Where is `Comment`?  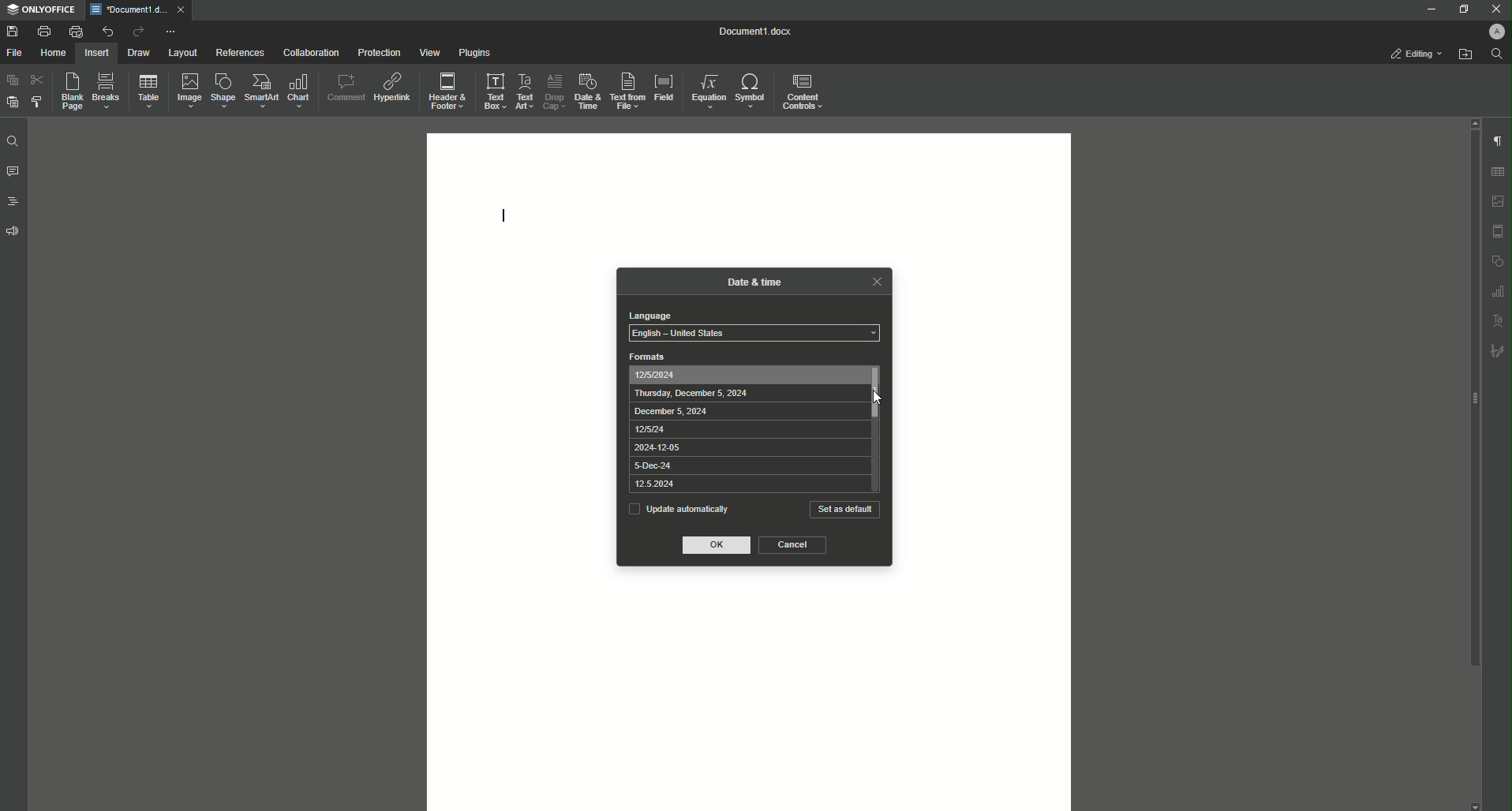 Comment is located at coordinates (344, 85).